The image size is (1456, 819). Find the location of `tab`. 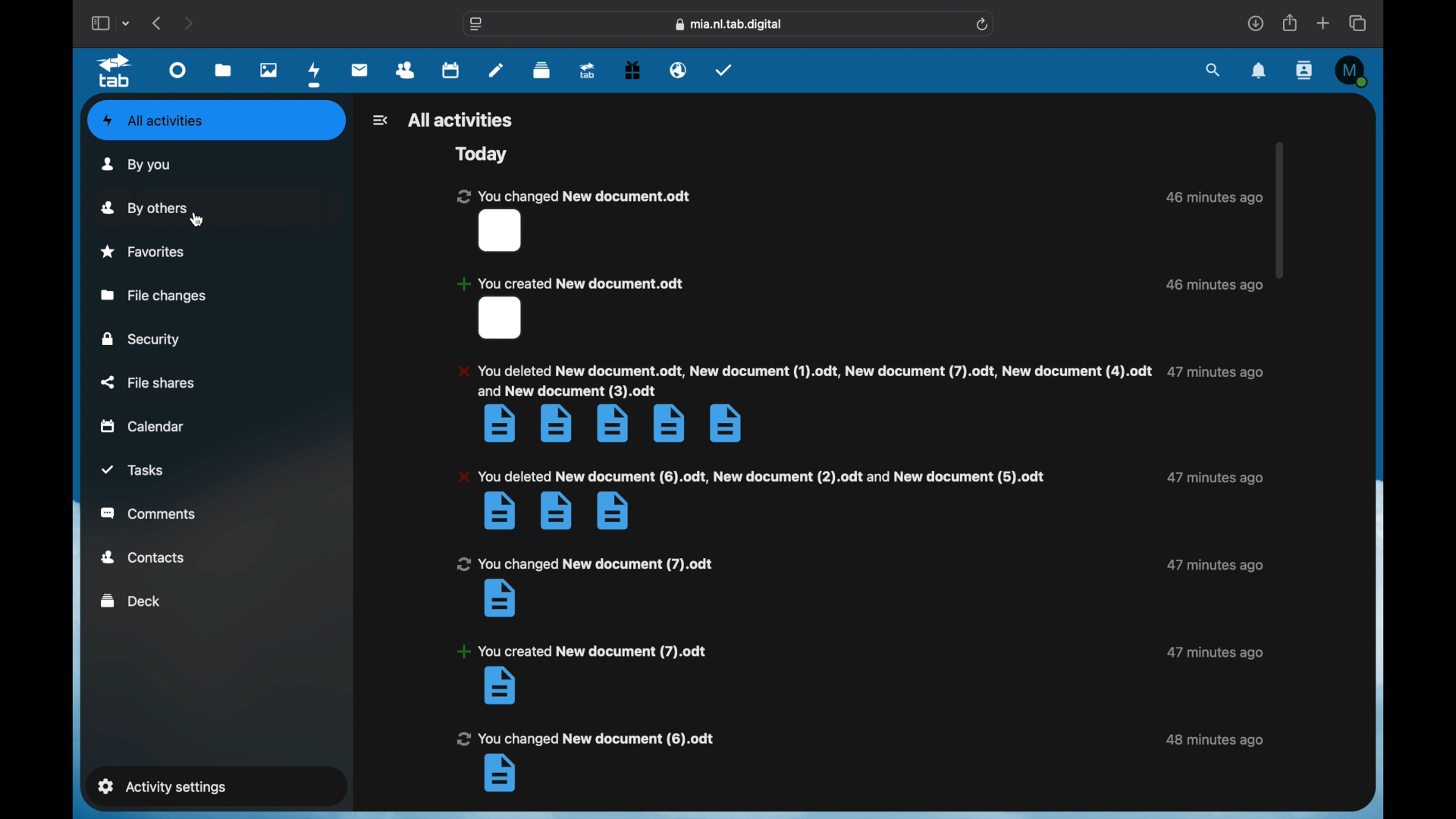

tab is located at coordinates (115, 71).